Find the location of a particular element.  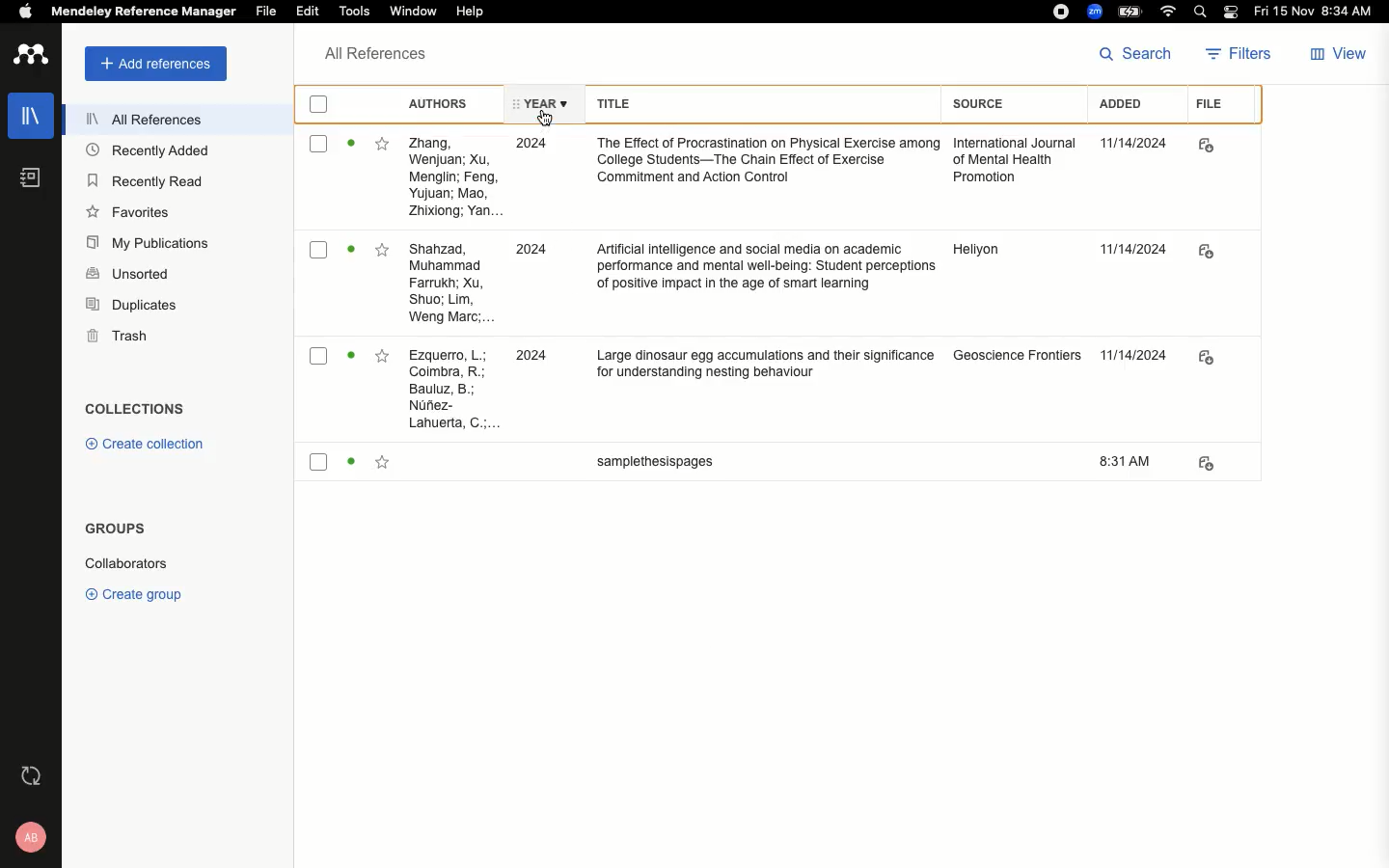

Help is located at coordinates (466, 14).